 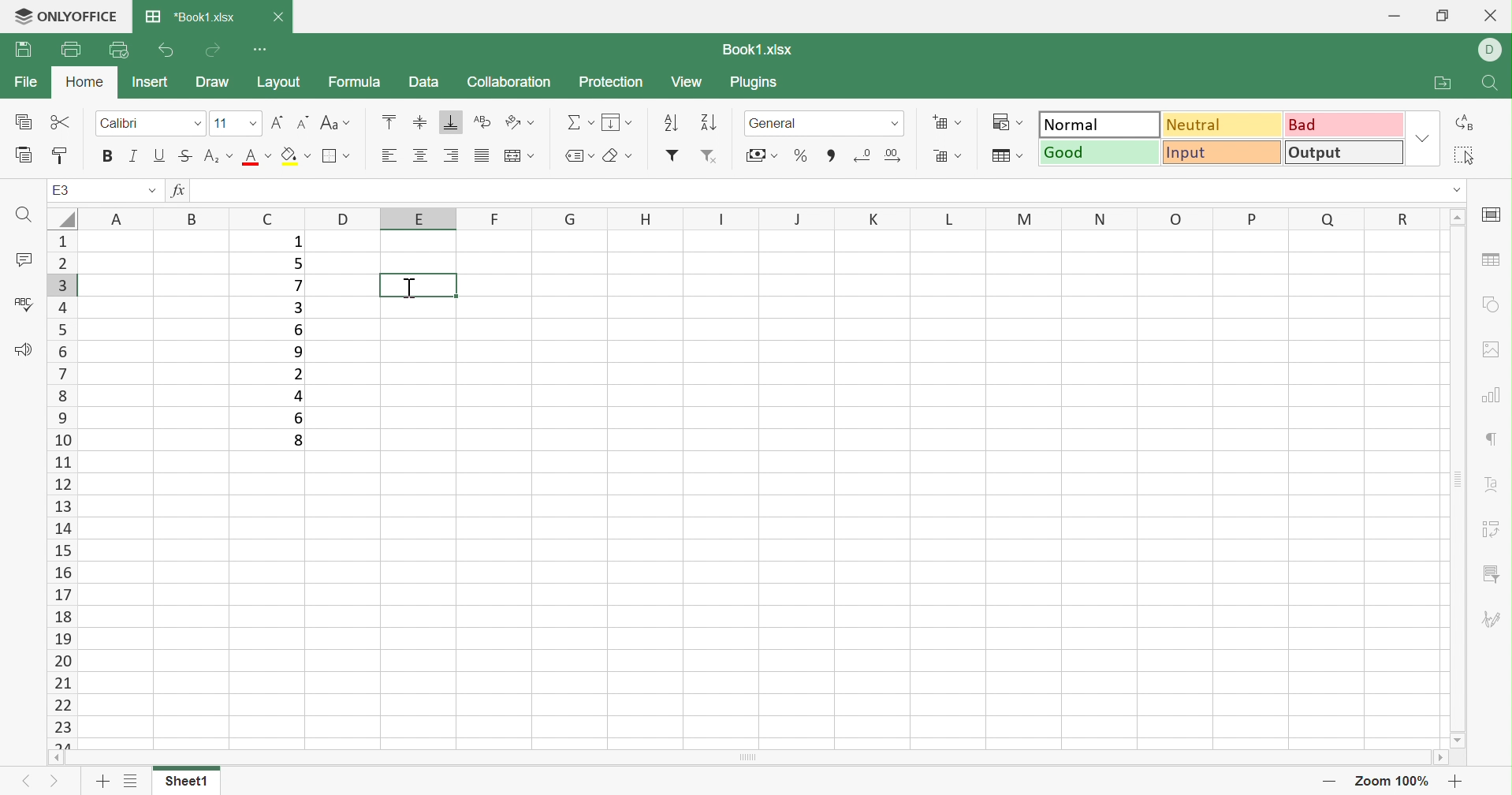 What do you see at coordinates (302, 123) in the screenshot?
I see `Decrement font size` at bounding box center [302, 123].